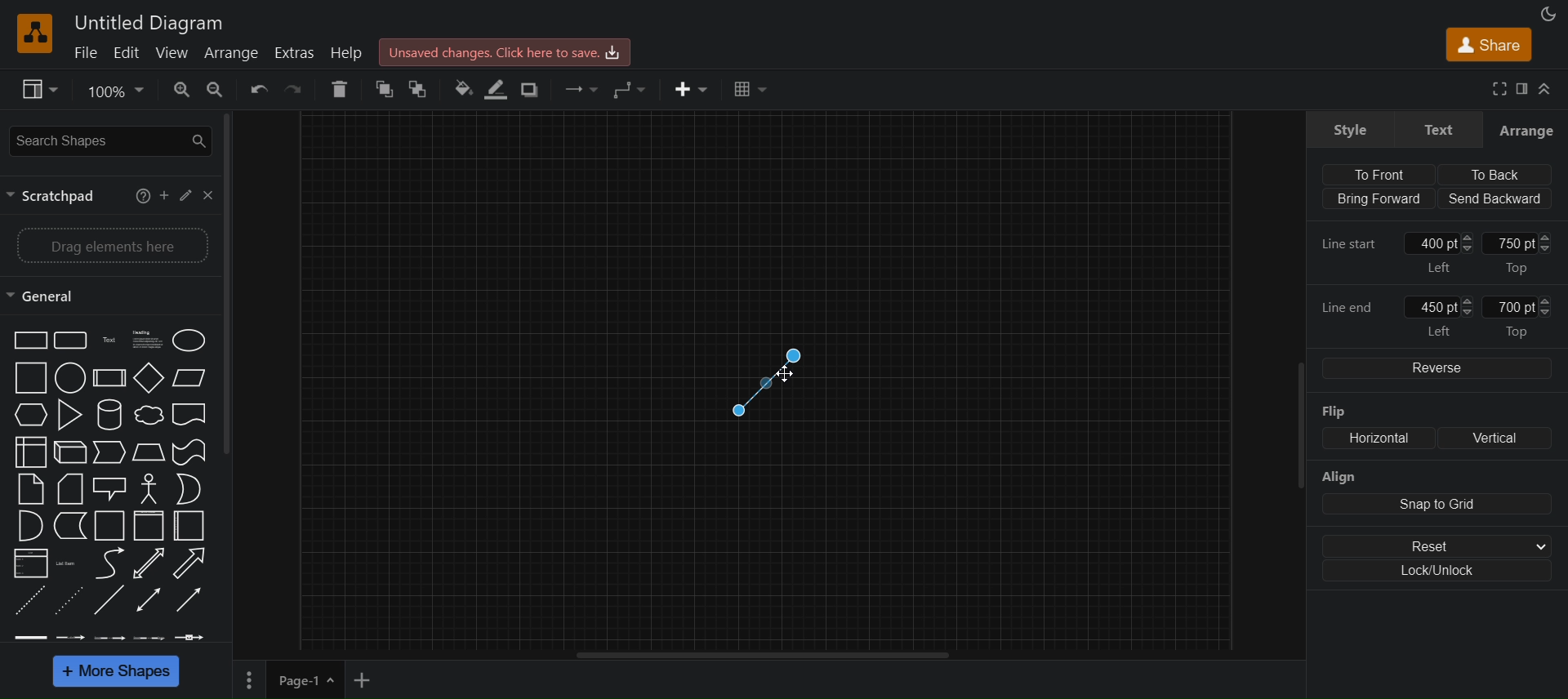 This screenshot has height=699, width=1568. I want to click on insert page, so click(365, 681).